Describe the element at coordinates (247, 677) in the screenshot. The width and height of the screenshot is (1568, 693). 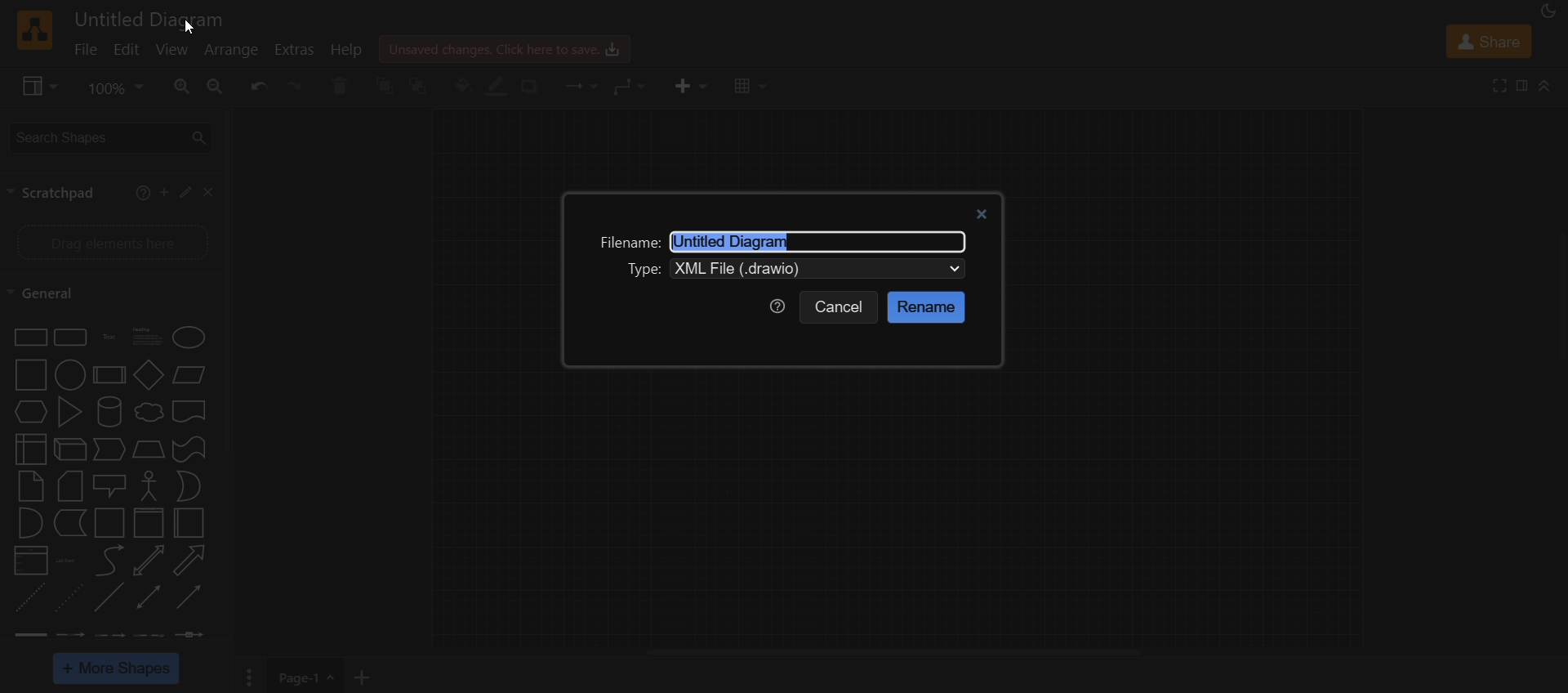
I see `pages` at that location.